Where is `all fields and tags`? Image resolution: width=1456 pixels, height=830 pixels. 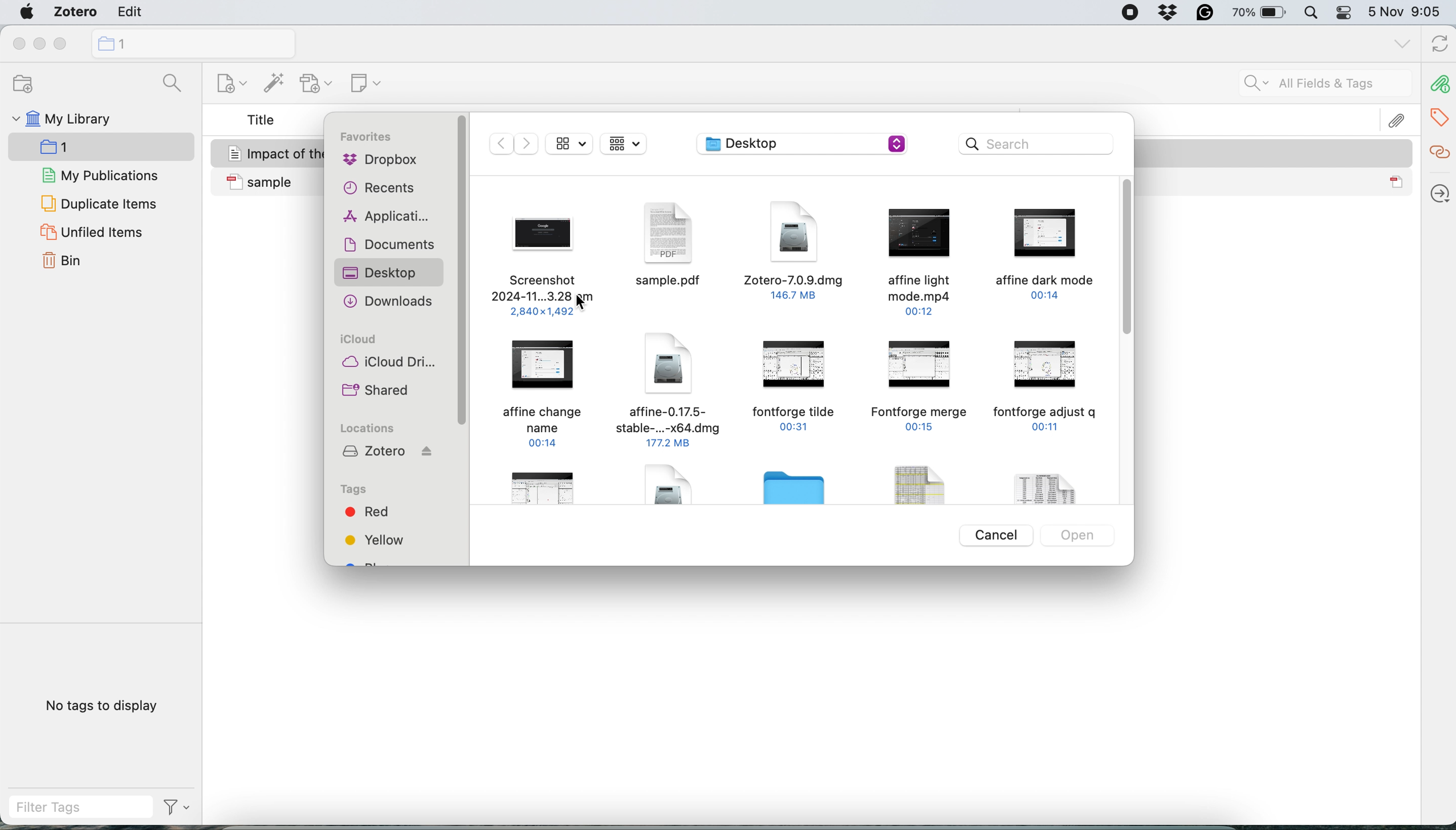 all fields and tags is located at coordinates (1312, 84).